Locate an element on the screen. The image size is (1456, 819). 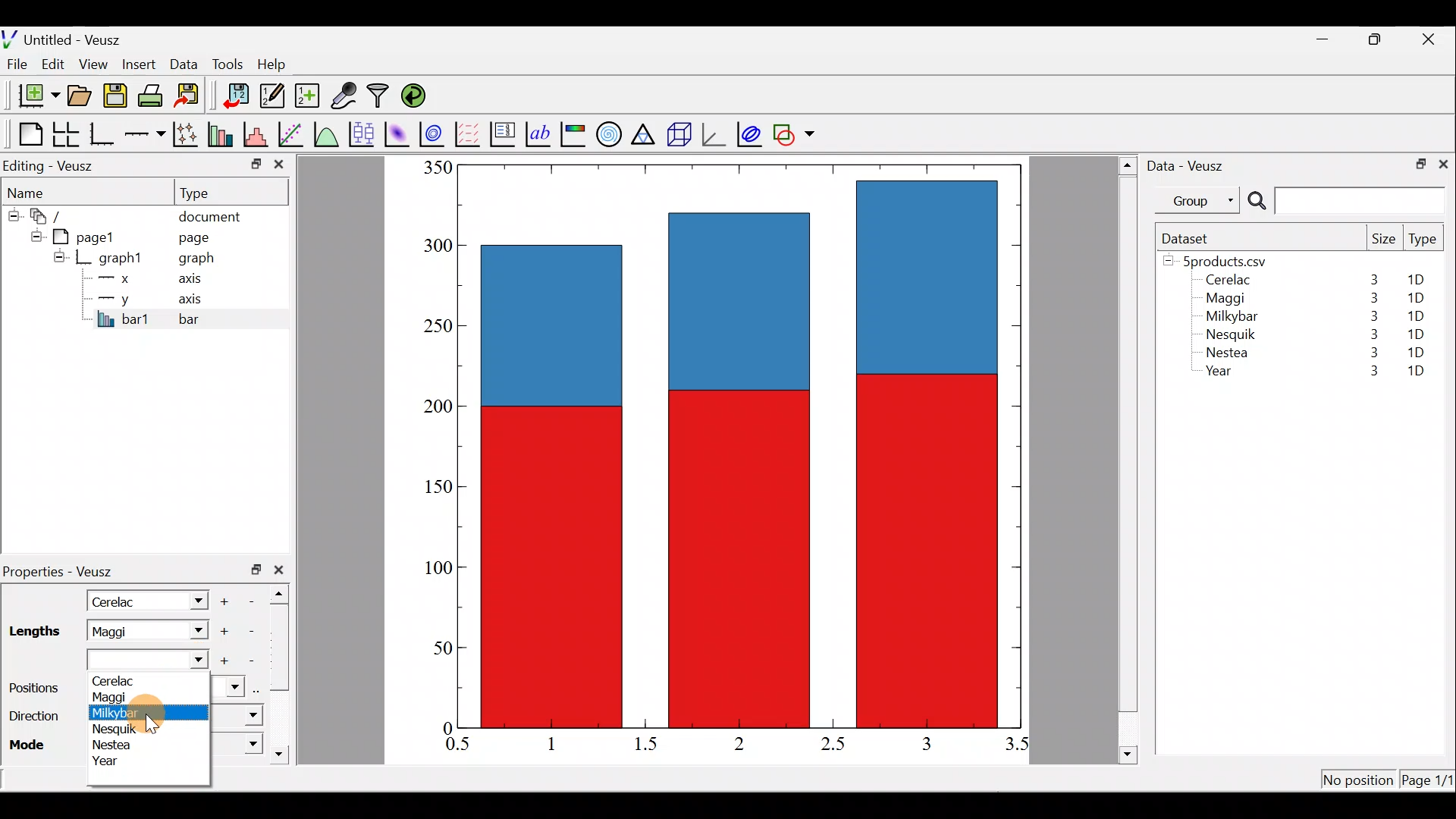
Help is located at coordinates (281, 64).